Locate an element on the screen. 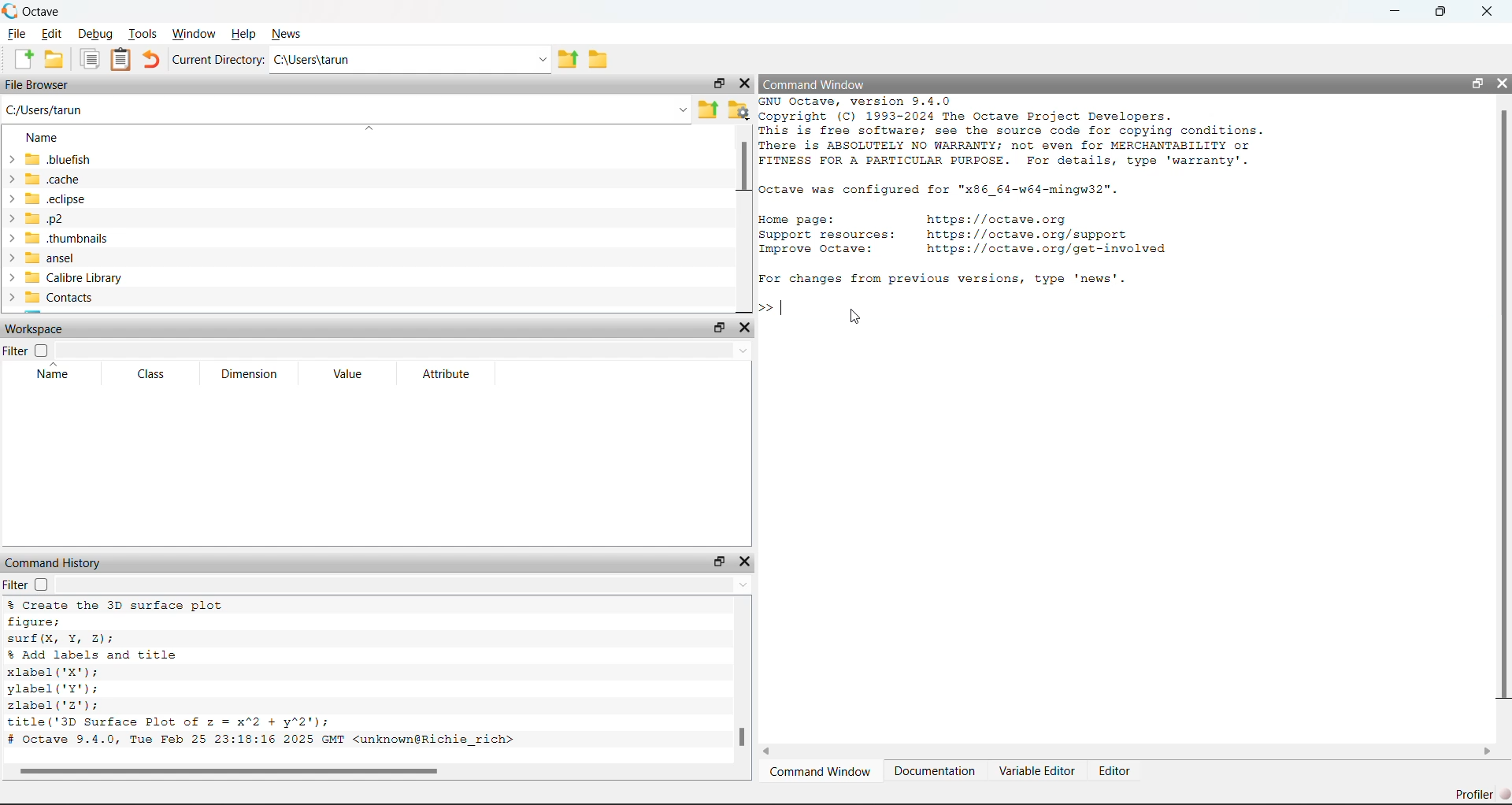  Undo is located at coordinates (151, 59).